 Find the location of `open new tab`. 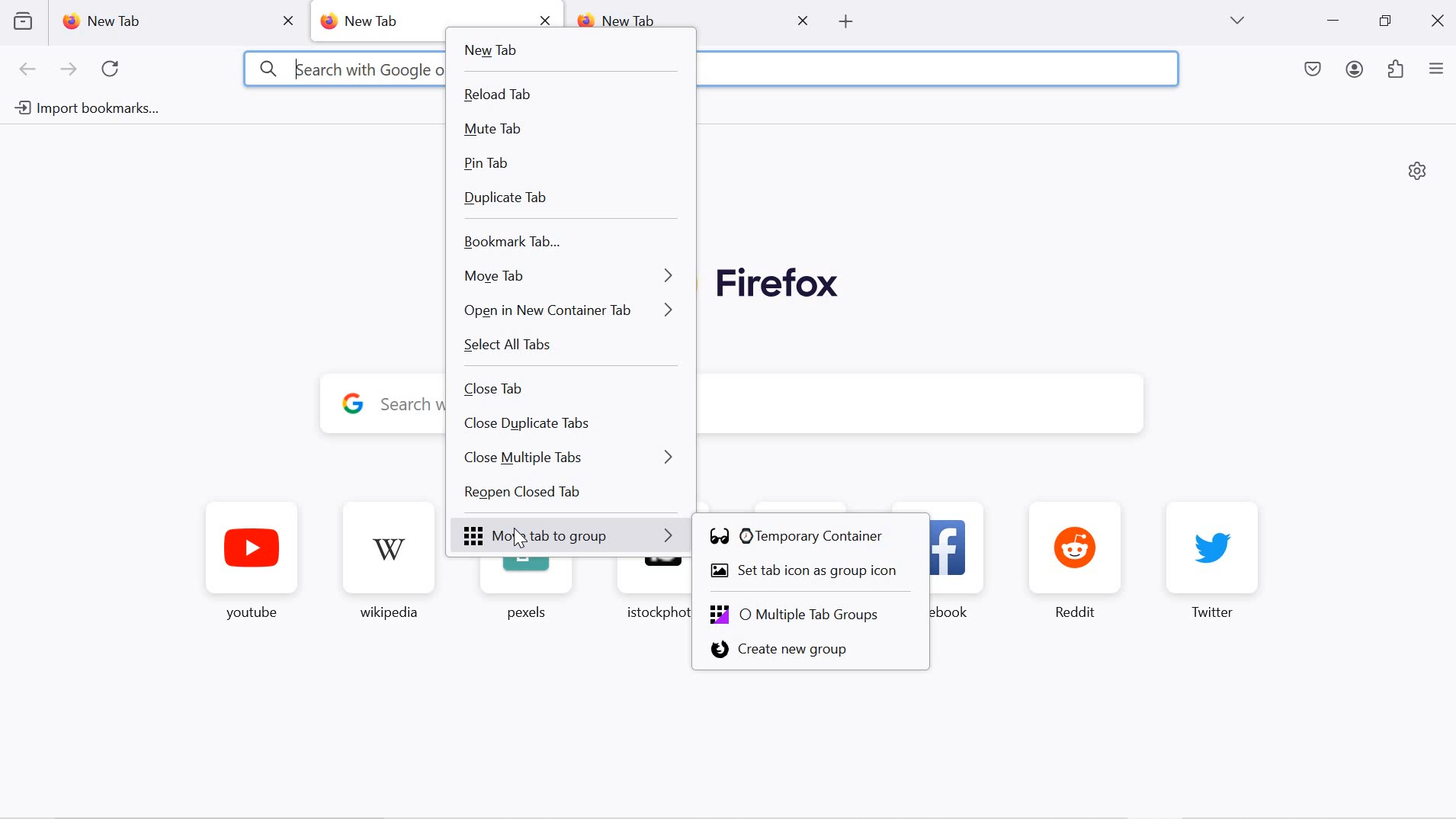

open new tab is located at coordinates (845, 20).